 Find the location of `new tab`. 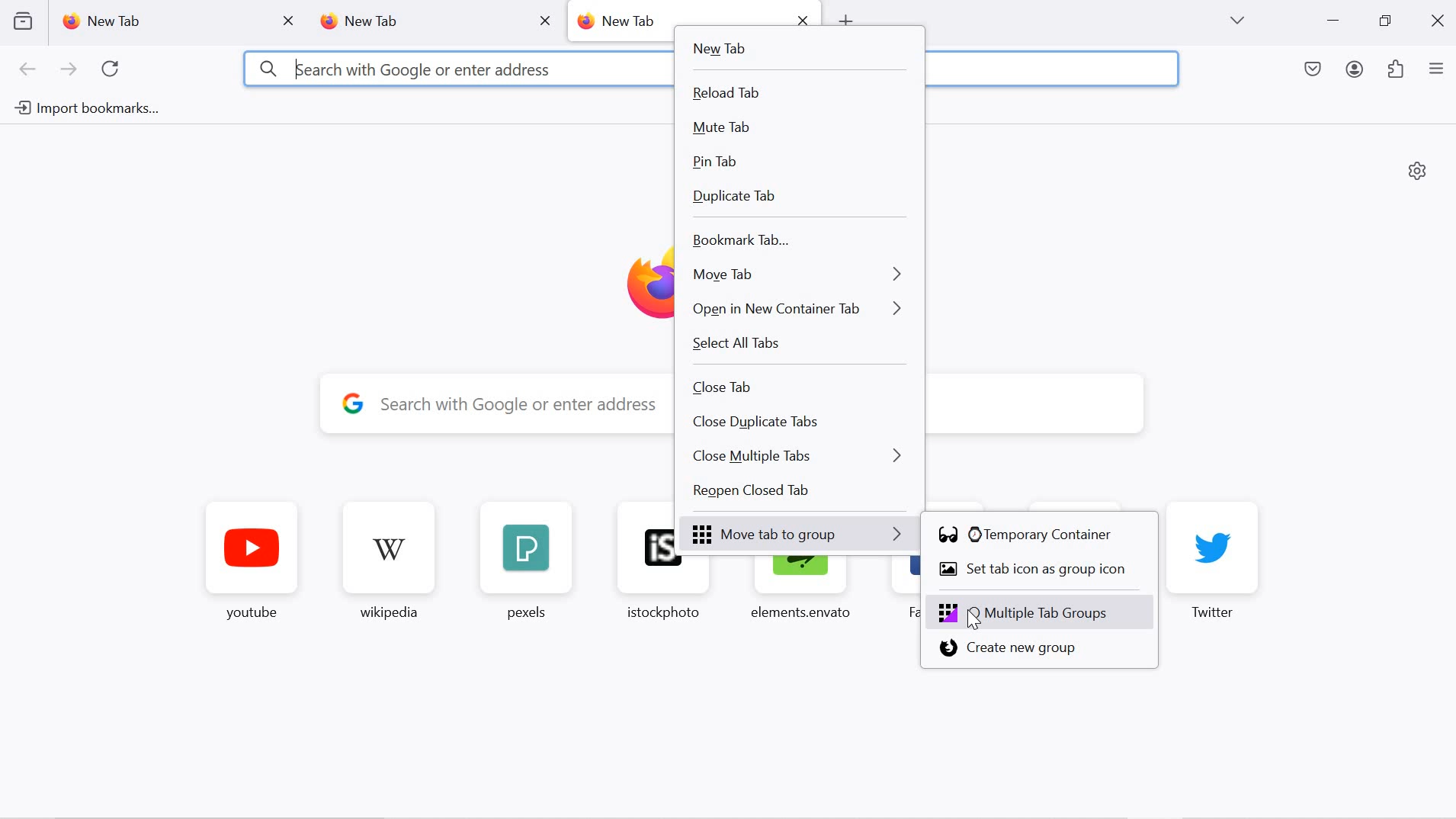

new tab is located at coordinates (413, 22).